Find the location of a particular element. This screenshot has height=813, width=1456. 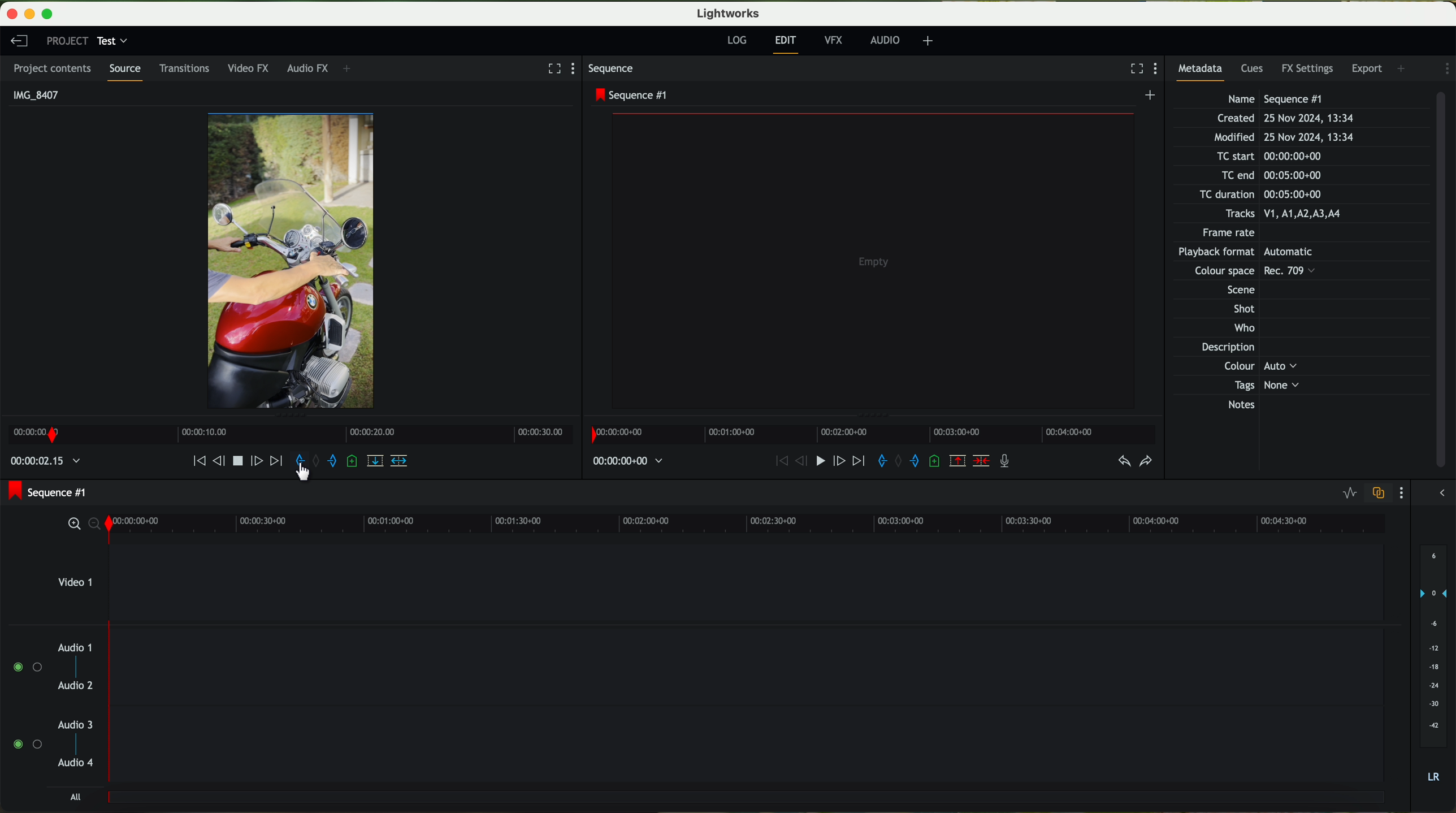

cursor is located at coordinates (305, 472).